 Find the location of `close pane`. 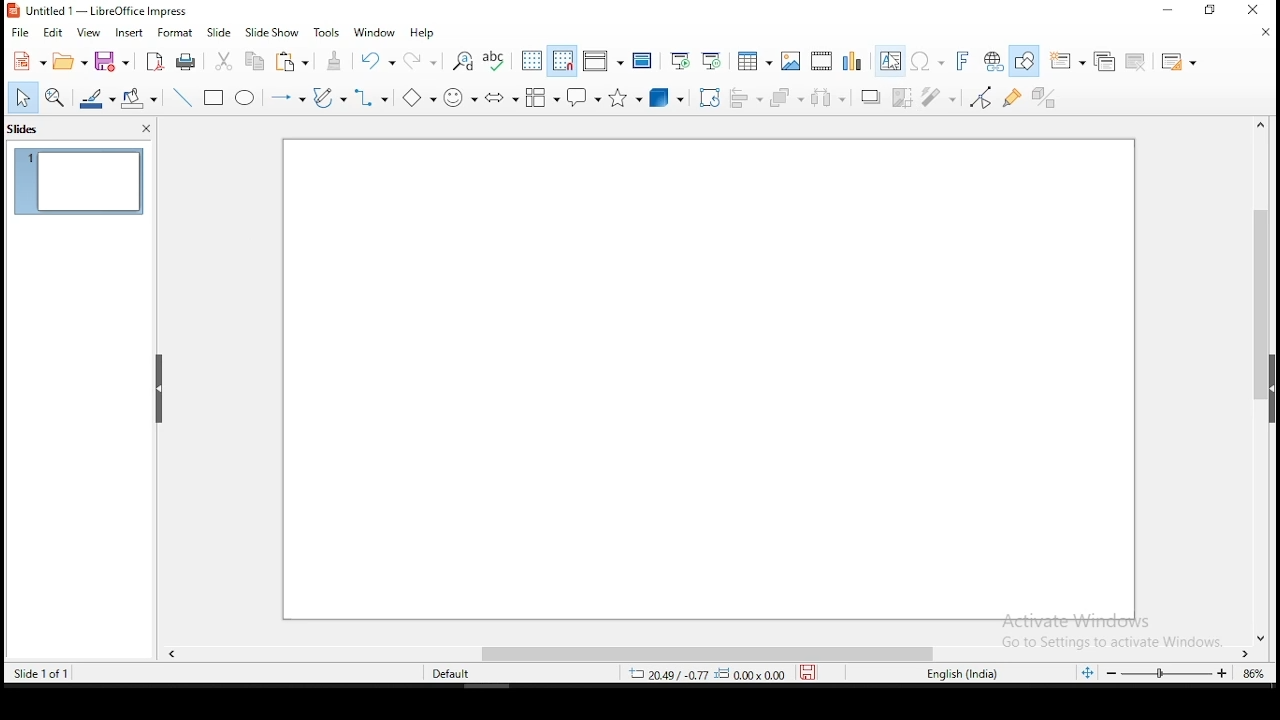

close pane is located at coordinates (155, 387).